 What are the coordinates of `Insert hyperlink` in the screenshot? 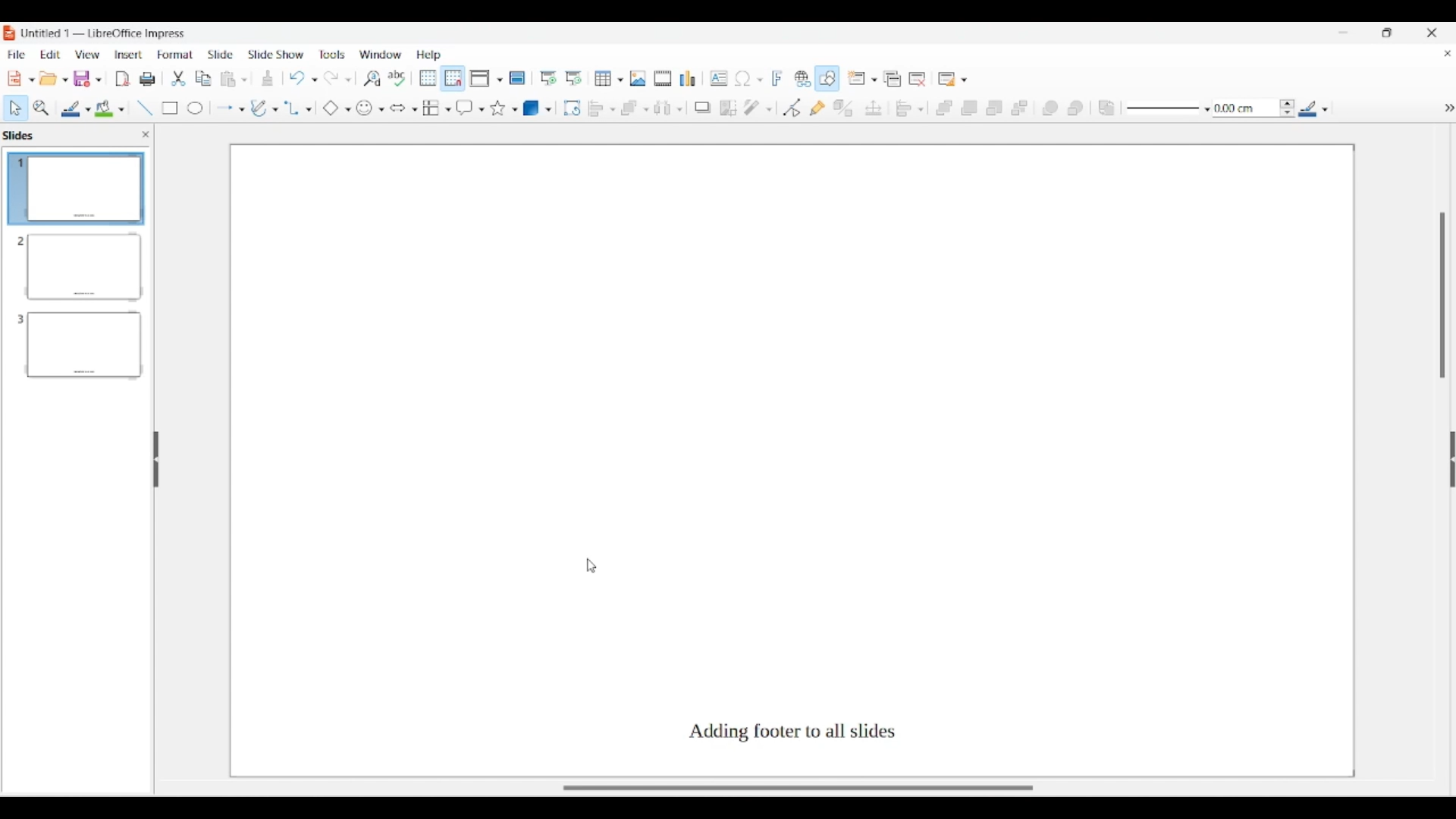 It's located at (803, 78).